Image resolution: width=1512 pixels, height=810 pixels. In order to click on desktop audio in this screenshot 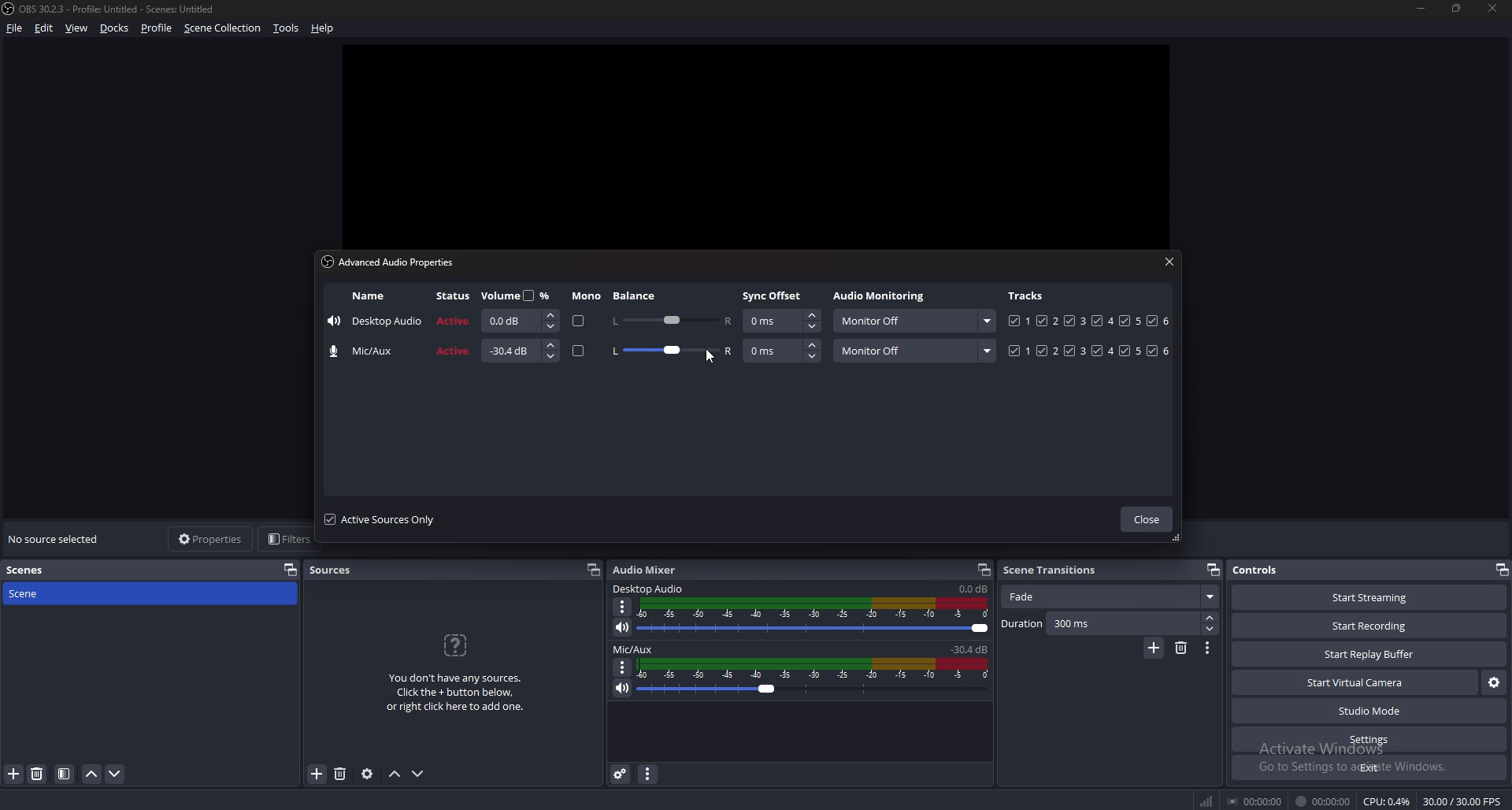, I will do `click(649, 588)`.